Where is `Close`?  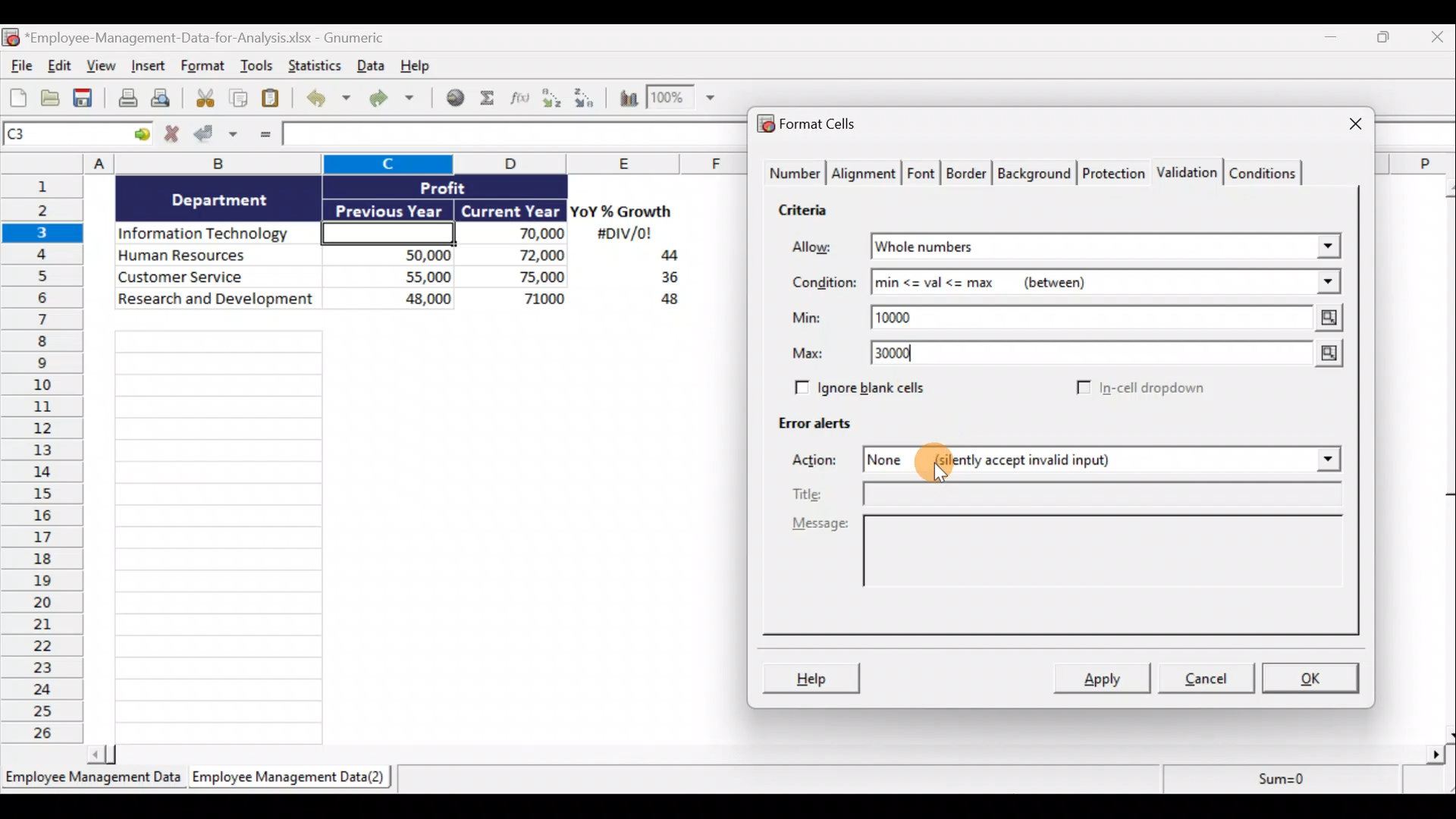 Close is located at coordinates (1341, 125).